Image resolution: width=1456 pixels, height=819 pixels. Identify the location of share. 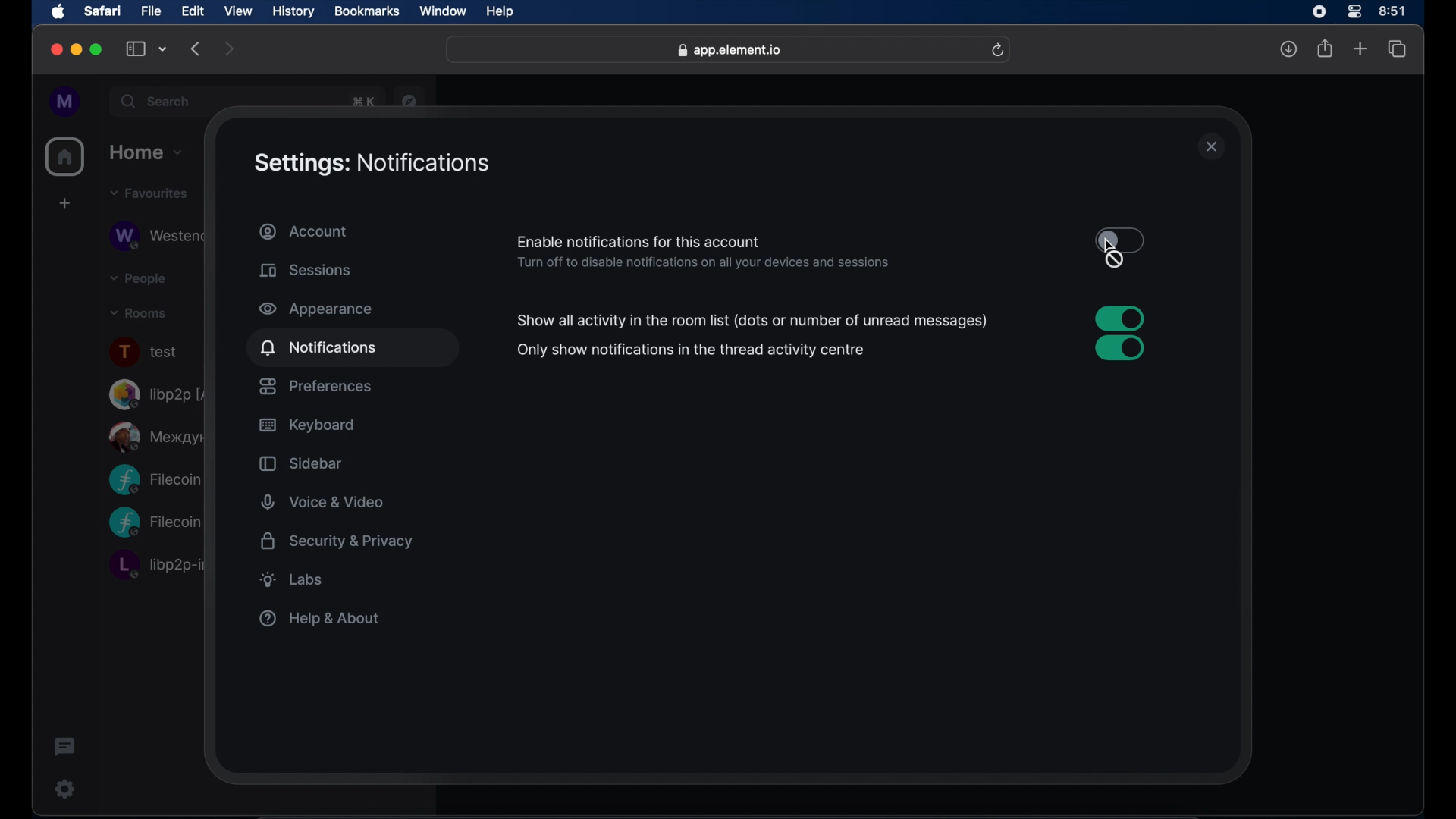
(1326, 49).